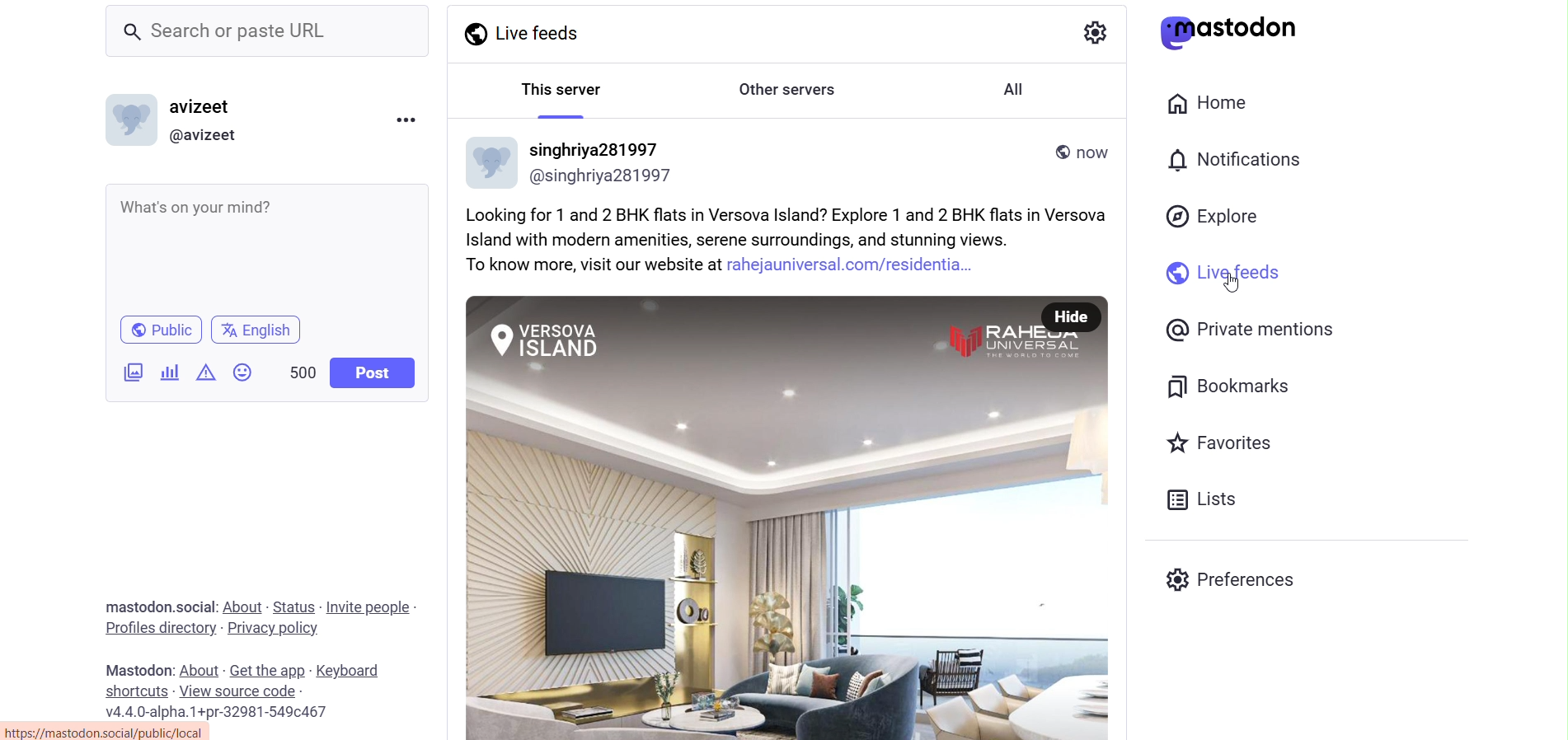 The image size is (1568, 740). I want to click on public, so click(163, 330).